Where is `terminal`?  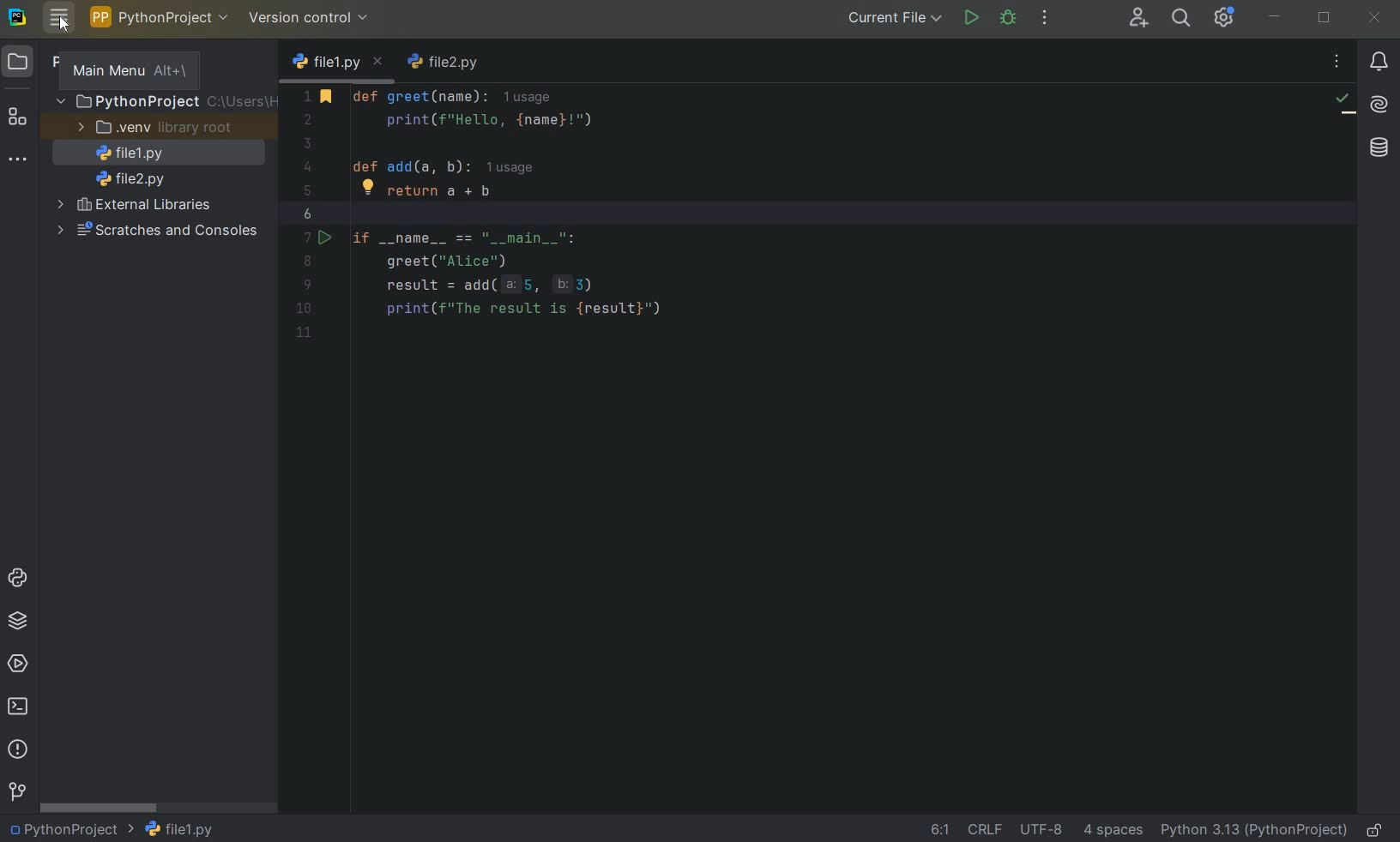 terminal is located at coordinates (20, 709).